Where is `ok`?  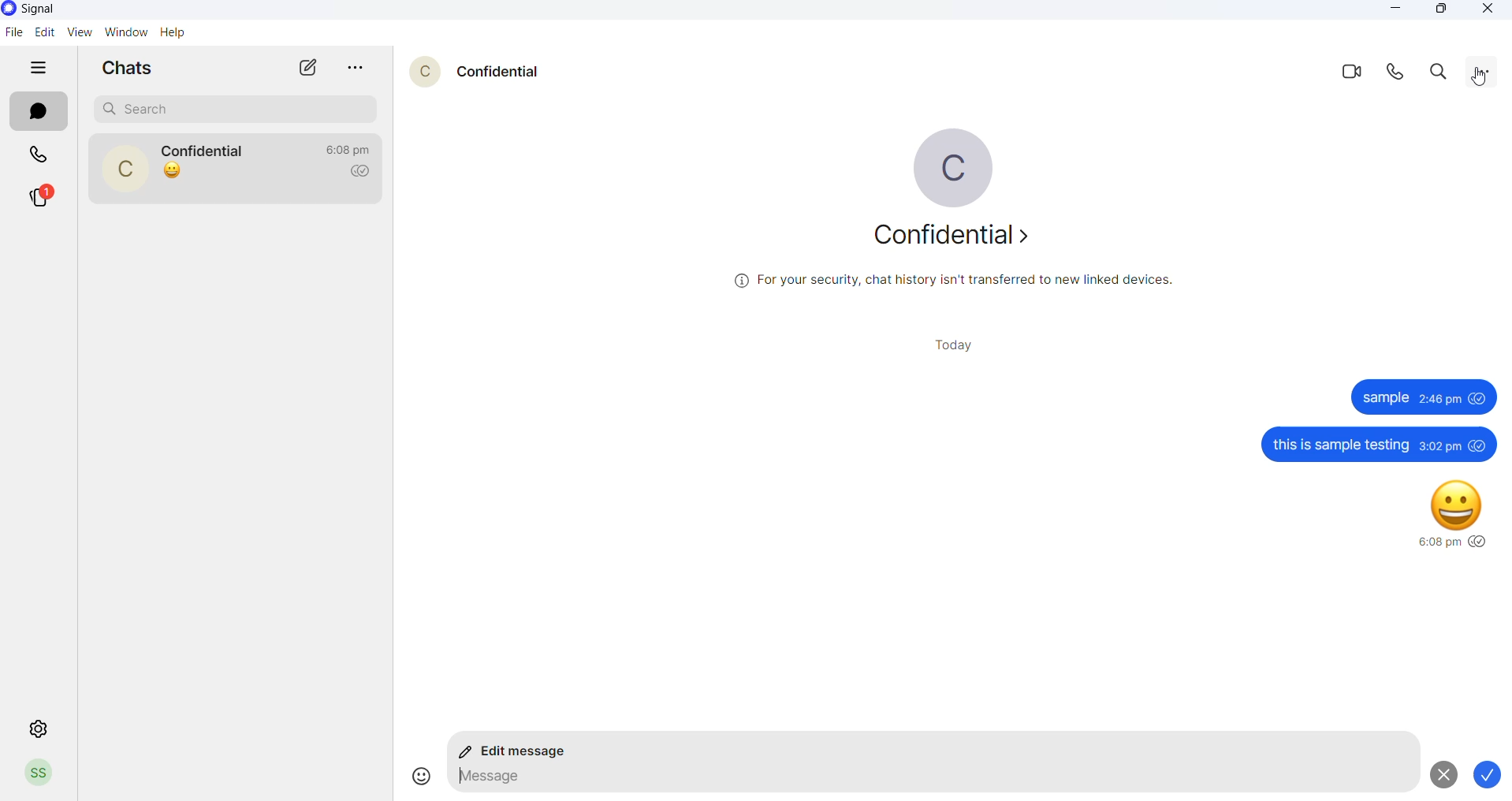
ok is located at coordinates (1492, 776).